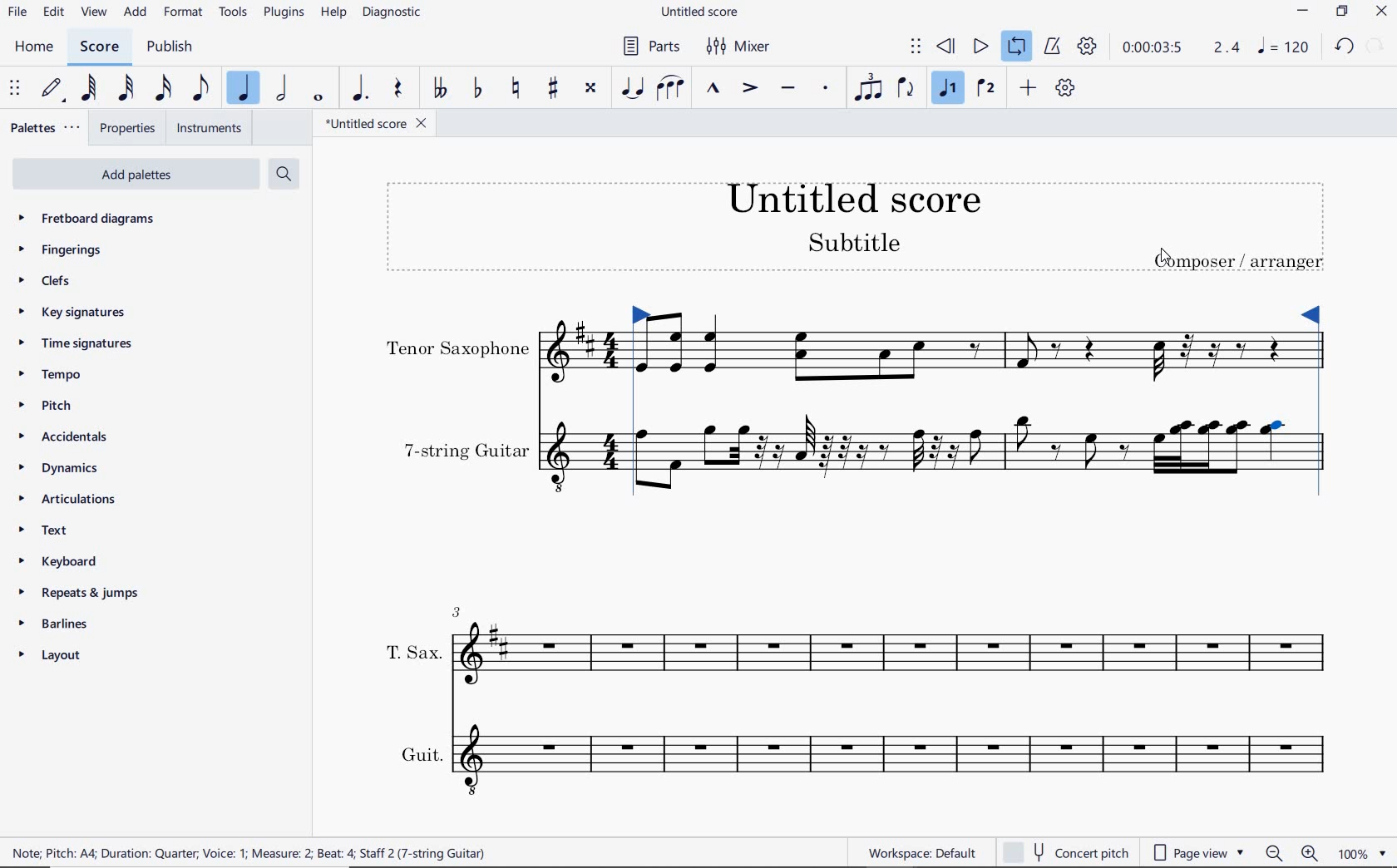 The image size is (1397, 868). I want to click on TOOLS, so click(234, 13).